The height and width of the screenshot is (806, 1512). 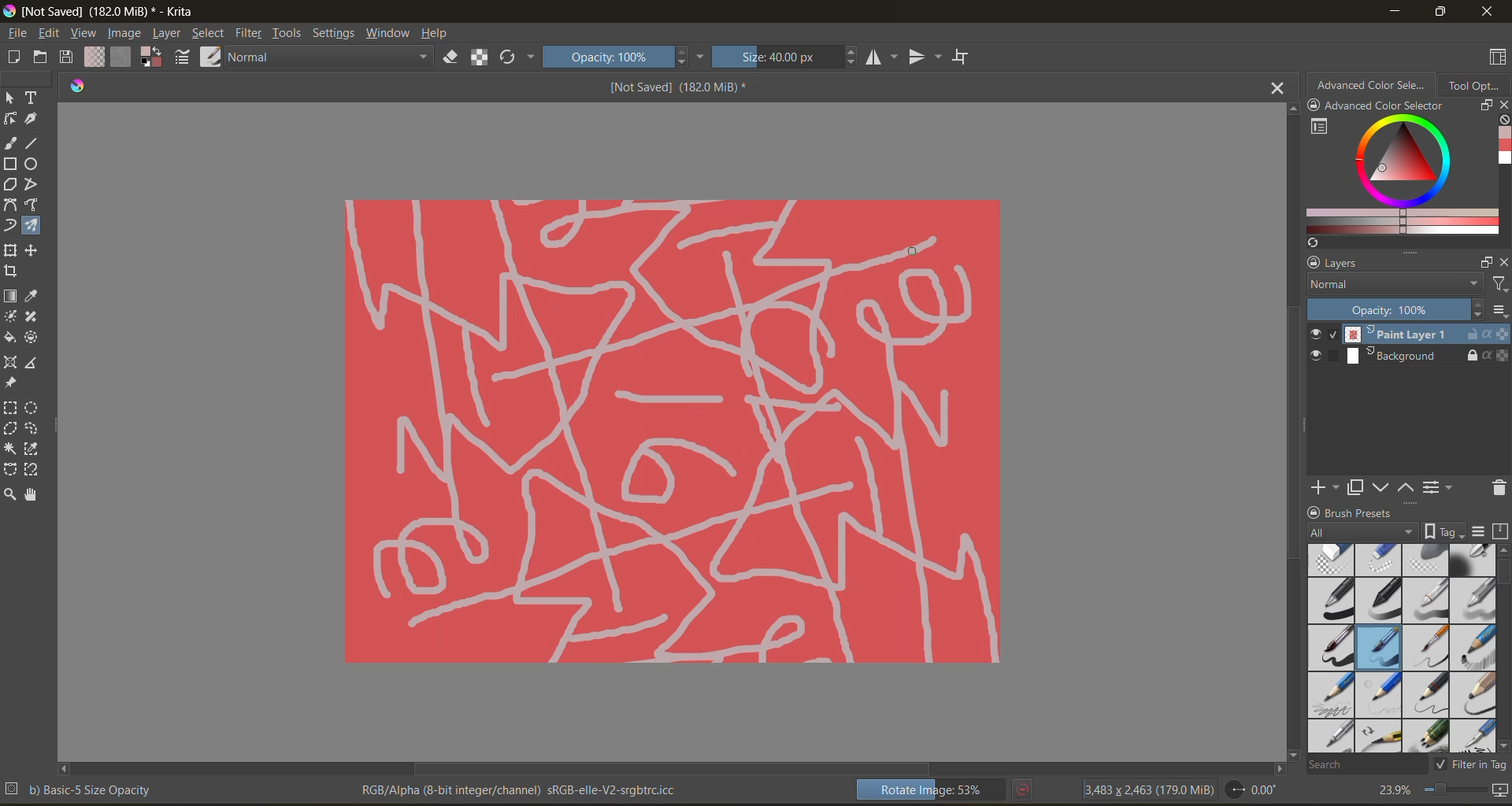 What do you see at coordinates (1151, 789) in the screenshot?
I see `image metadata` at bounding box center [1151, 789].